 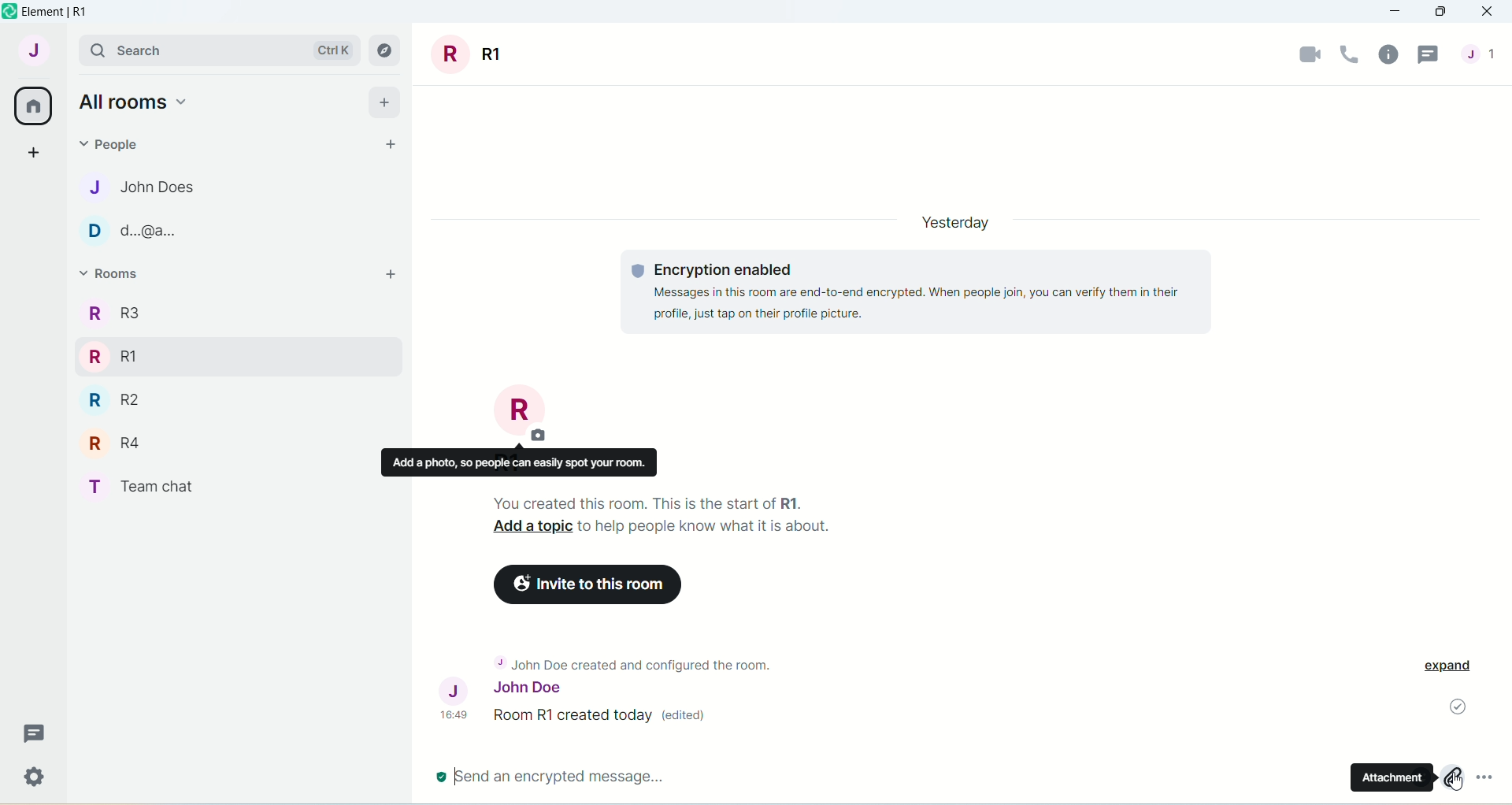 What do you see at coordinates (325, 50) in the screenshot?
I see `Ctrl K` at bounding box center [325, 50].